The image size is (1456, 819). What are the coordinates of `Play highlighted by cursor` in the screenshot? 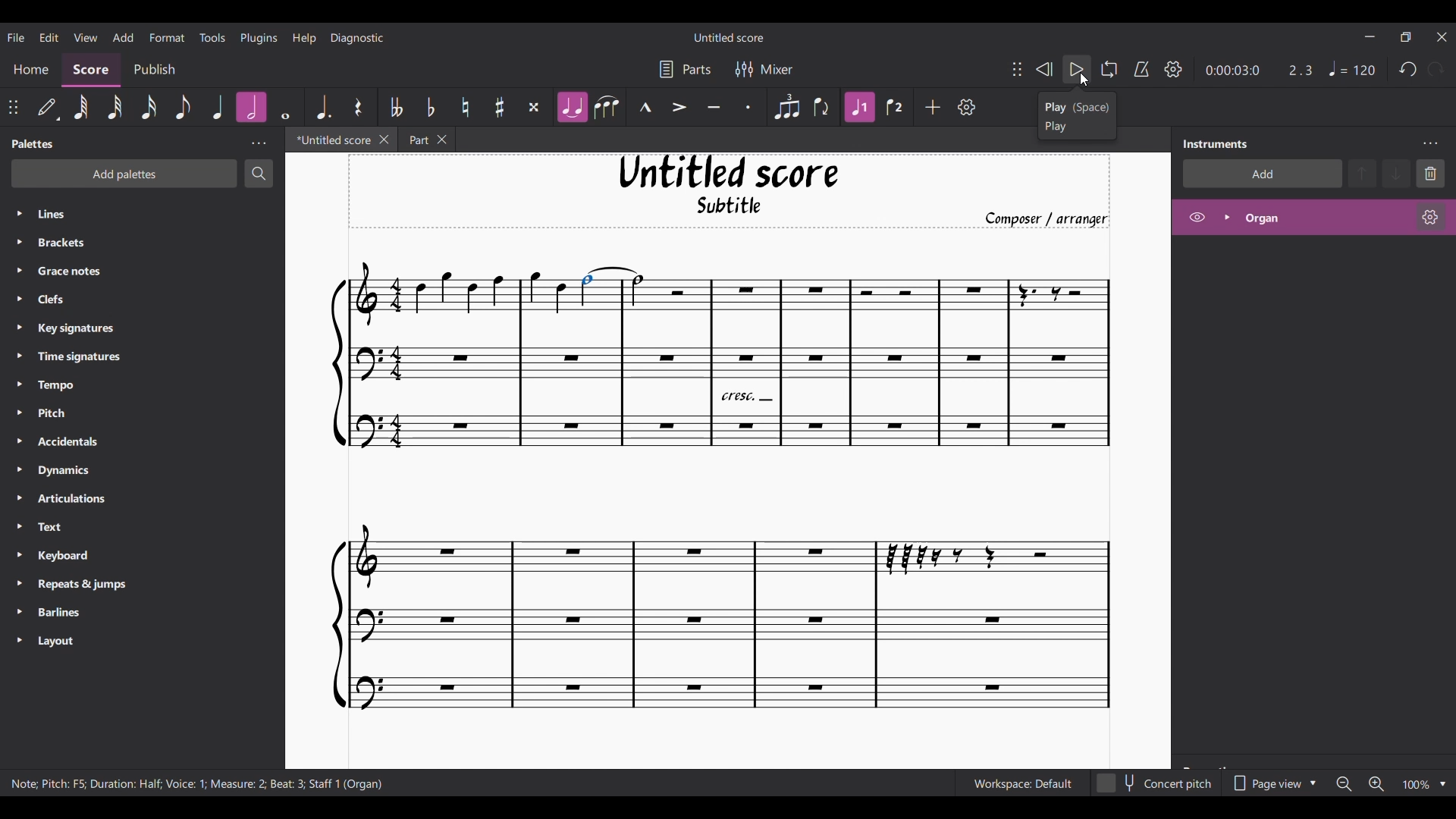 It's located at (1077, 69).